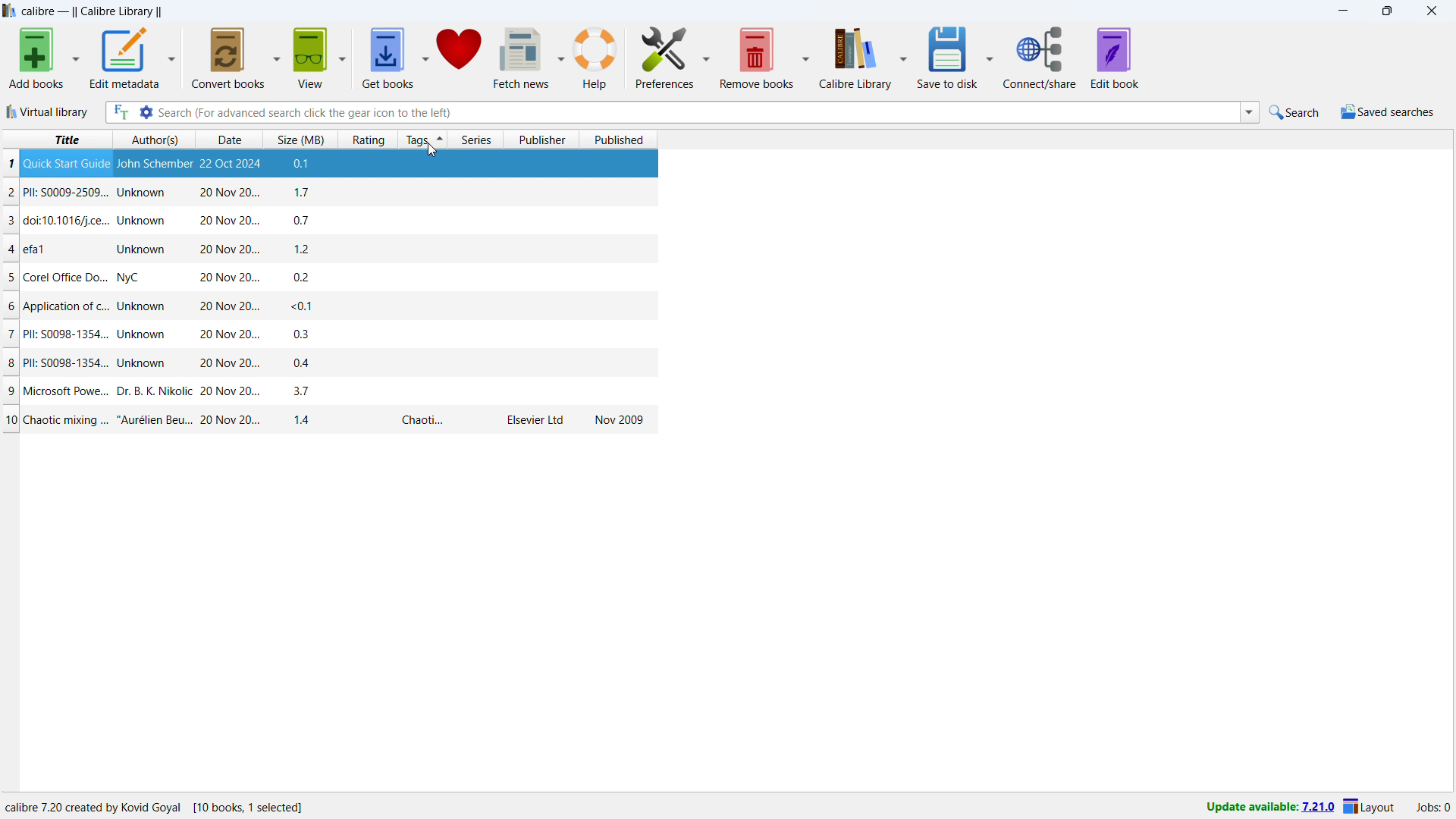  I want to click on close, so click(1432, 10).